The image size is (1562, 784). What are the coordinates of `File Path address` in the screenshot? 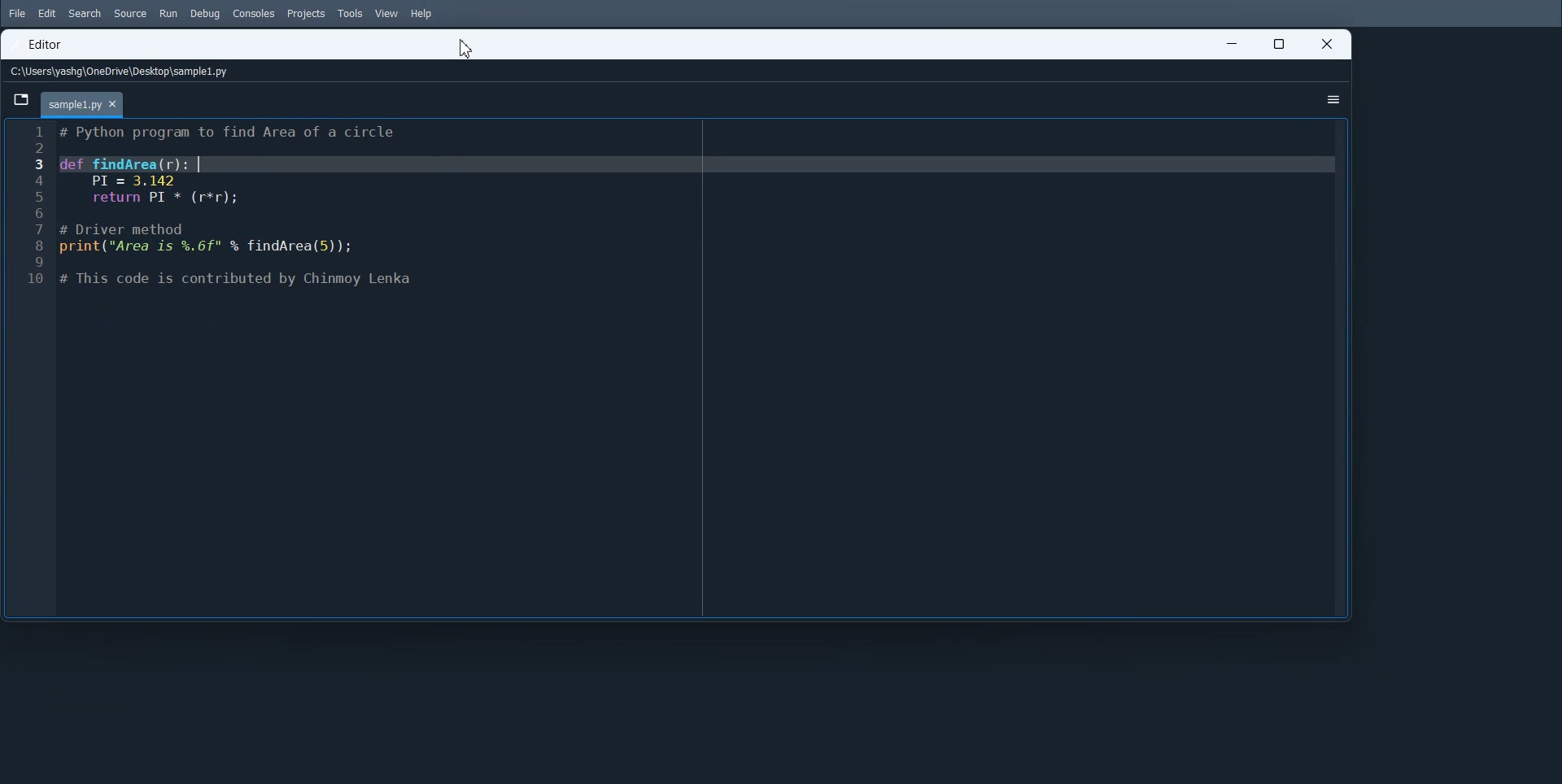 It's located at (121, 70).